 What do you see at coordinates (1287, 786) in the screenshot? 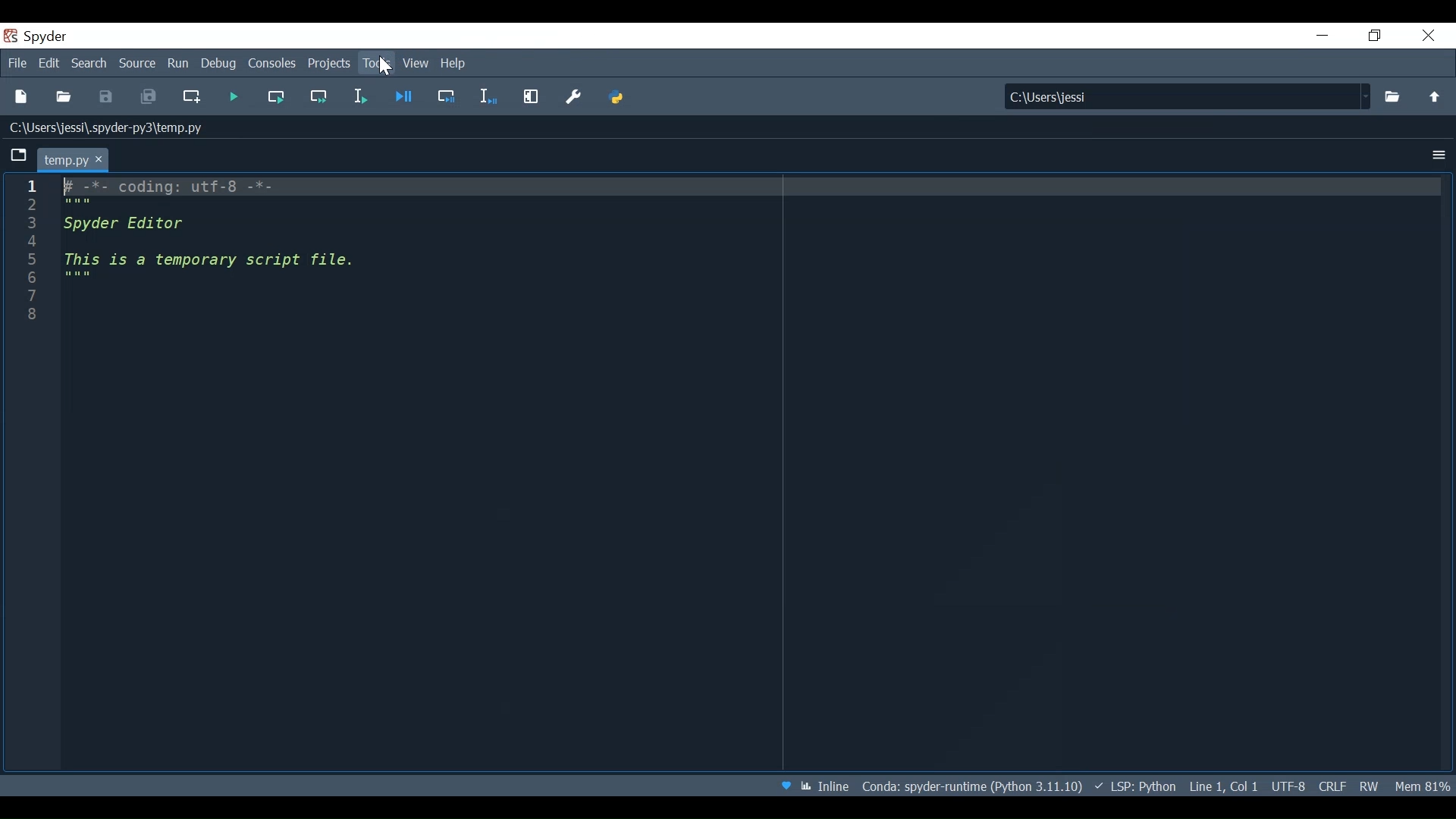
I see `File Encoding` at bounding box center [1287, 786].